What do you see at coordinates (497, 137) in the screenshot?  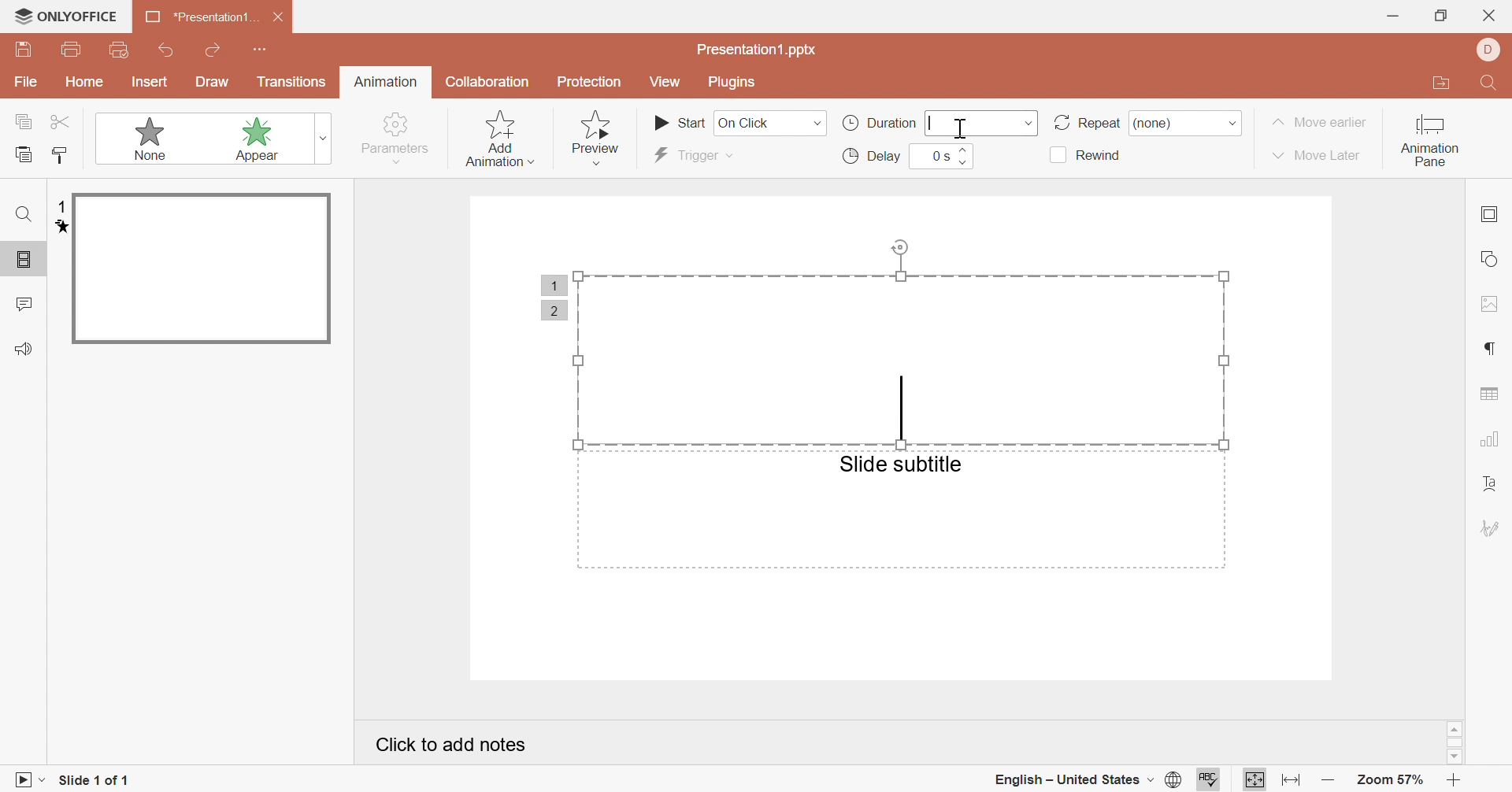 I see `add animation` at bounding box center [497, 137].